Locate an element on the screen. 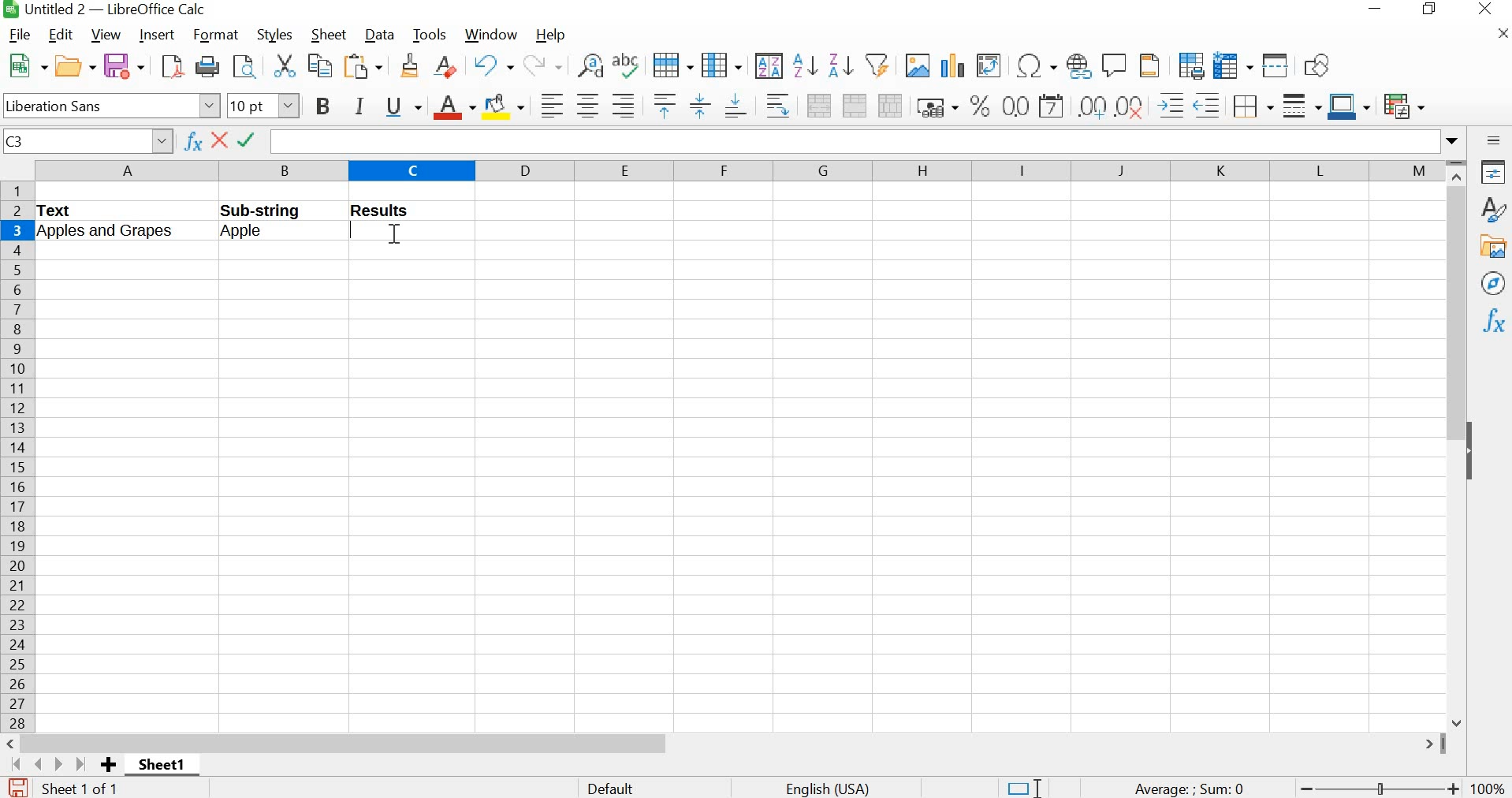  sort ascending is located at coordinates (805, 65).